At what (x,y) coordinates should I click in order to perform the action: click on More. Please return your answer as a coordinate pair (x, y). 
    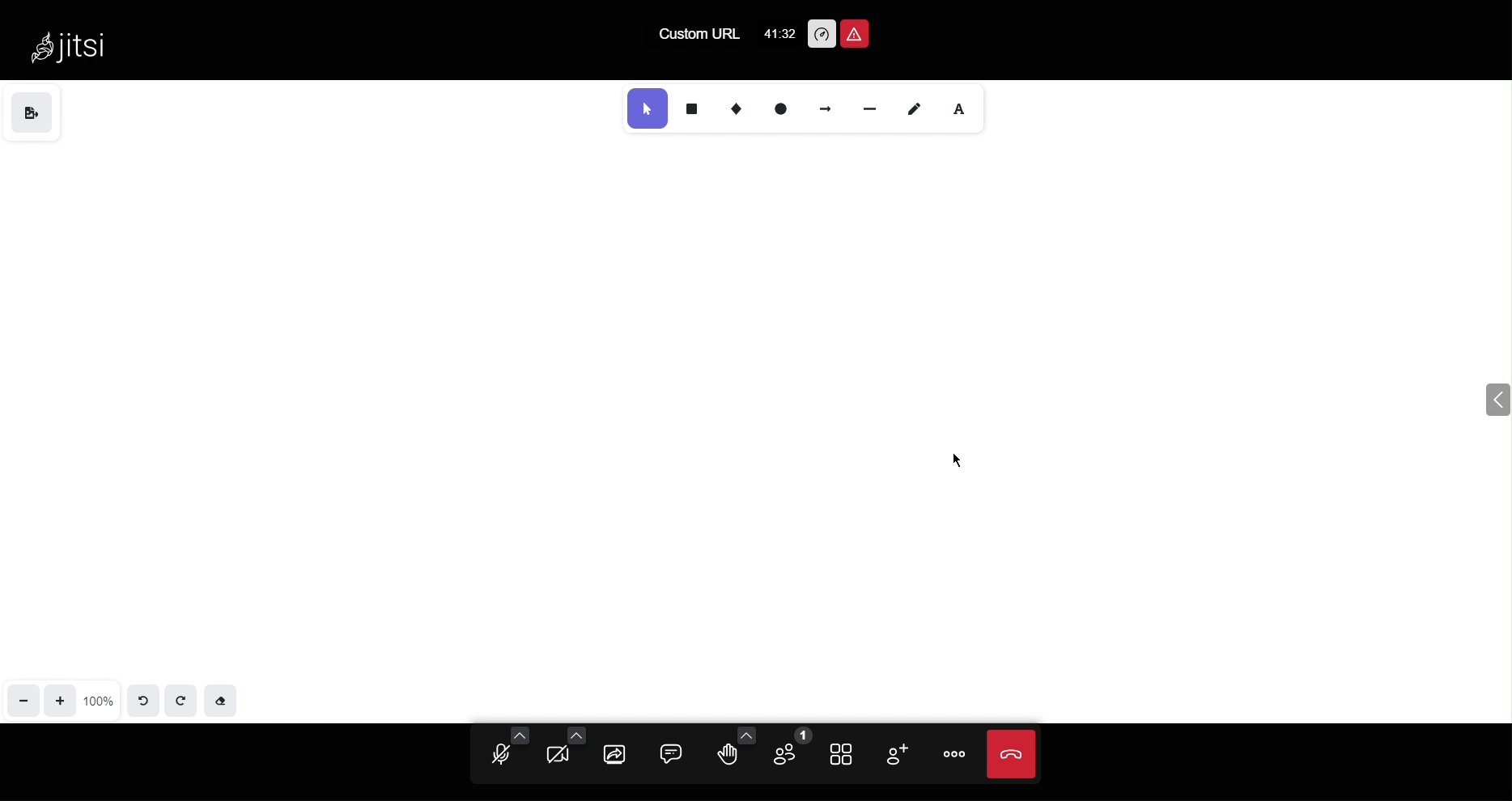
    Looking at the image, I should click on (956, 755).